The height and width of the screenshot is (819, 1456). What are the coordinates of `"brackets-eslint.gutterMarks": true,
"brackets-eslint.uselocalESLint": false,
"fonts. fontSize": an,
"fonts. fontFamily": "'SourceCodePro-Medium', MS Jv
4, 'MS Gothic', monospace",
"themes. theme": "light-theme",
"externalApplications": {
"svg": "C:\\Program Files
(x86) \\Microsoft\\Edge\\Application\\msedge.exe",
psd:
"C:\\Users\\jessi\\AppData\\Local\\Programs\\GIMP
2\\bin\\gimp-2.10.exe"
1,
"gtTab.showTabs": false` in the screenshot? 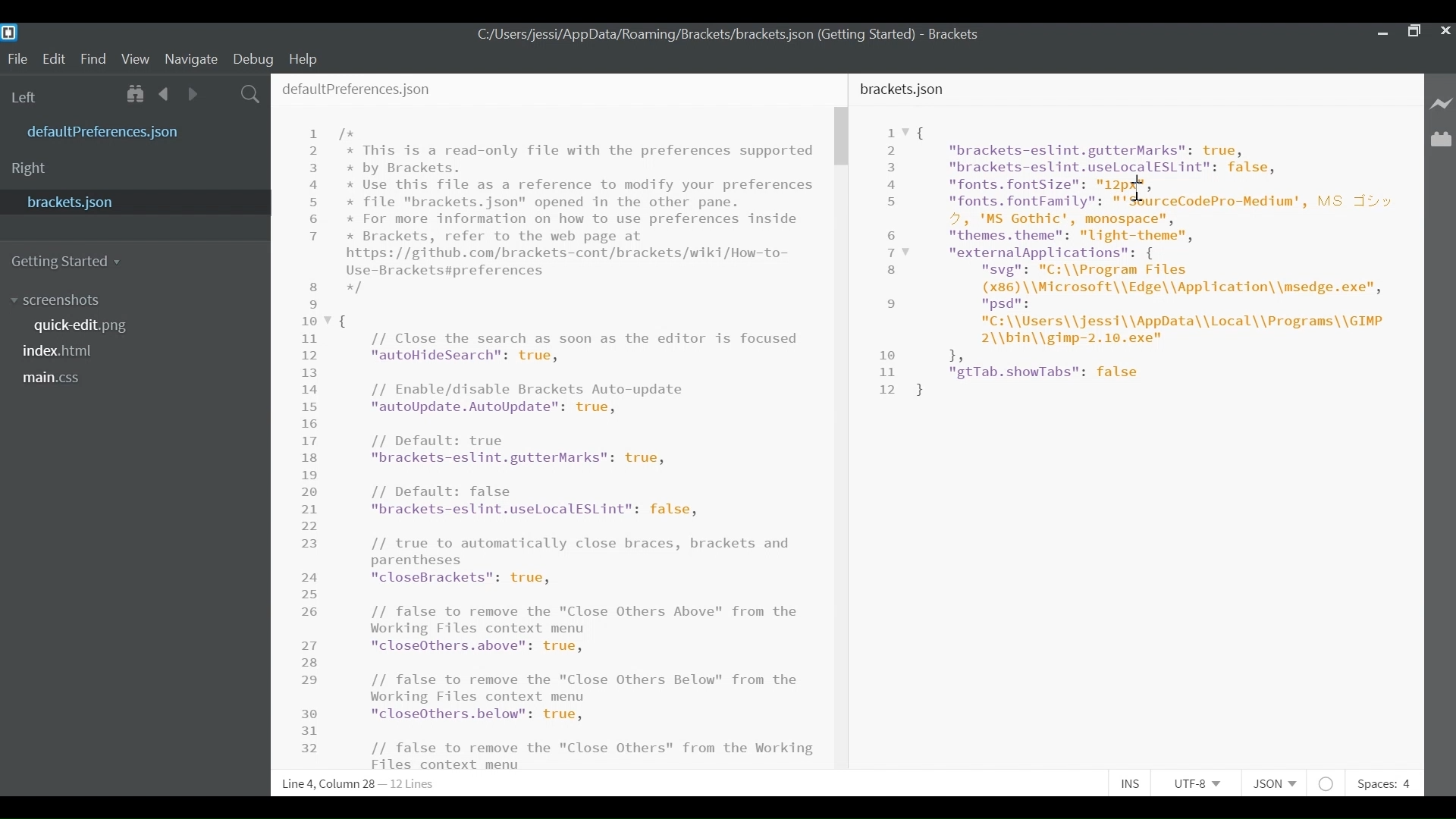 It's located at (1156, 259).